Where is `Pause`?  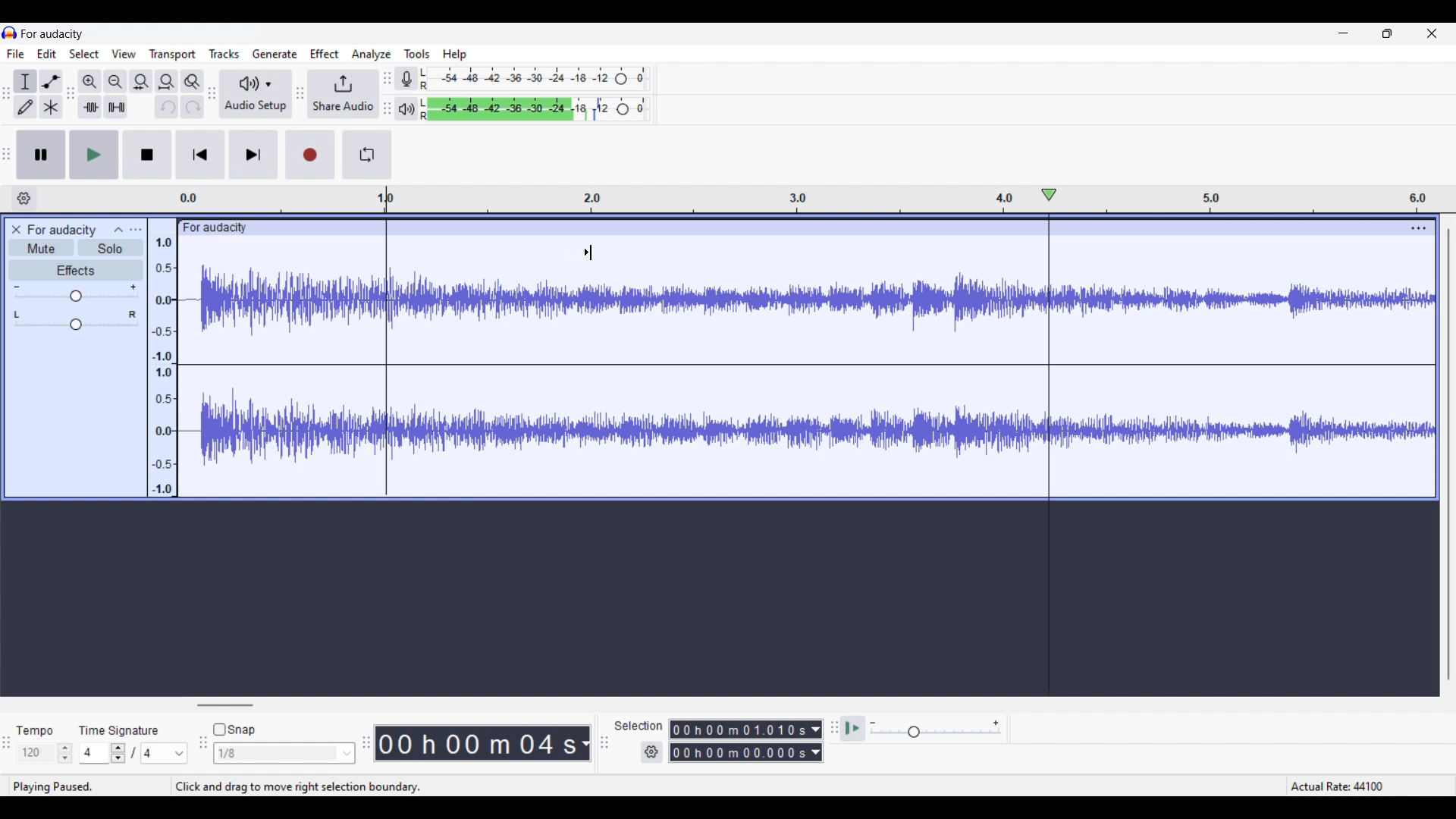
Pause is located at coordinates (41, 155).